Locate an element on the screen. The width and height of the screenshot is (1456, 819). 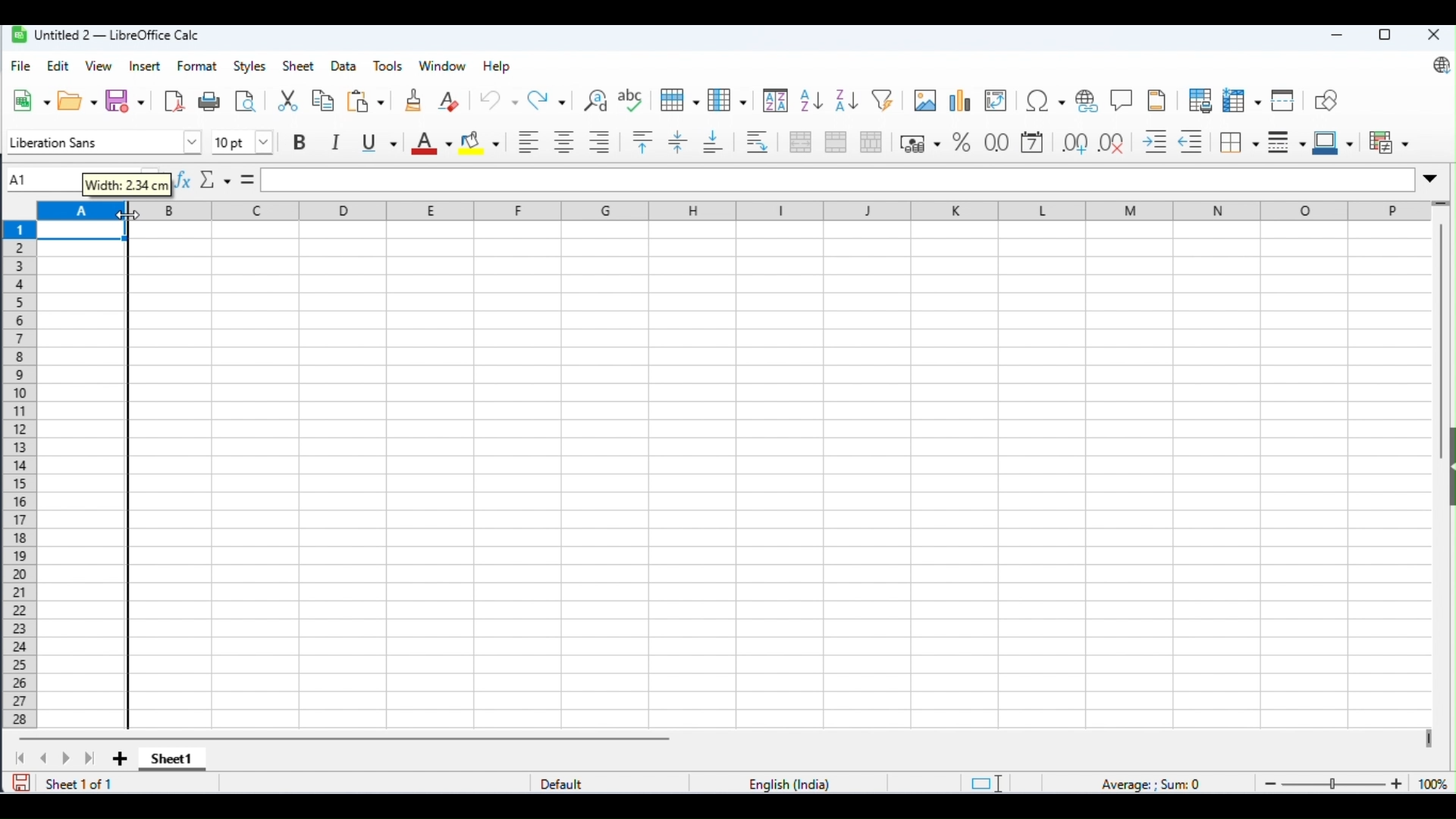
add sheet is located at coordinates (119, 758).